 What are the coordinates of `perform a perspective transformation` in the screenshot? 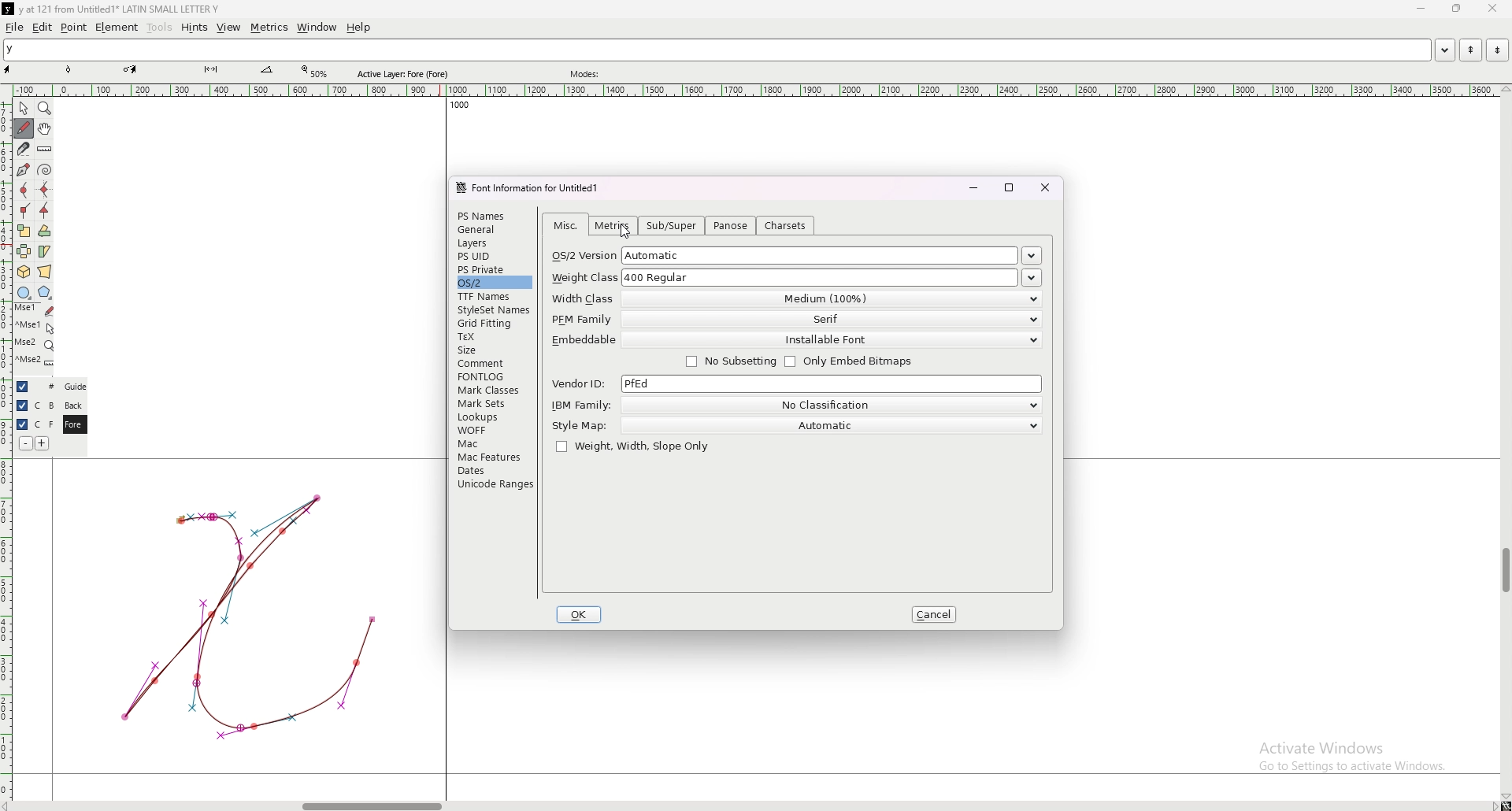 It's located at (45, 272).